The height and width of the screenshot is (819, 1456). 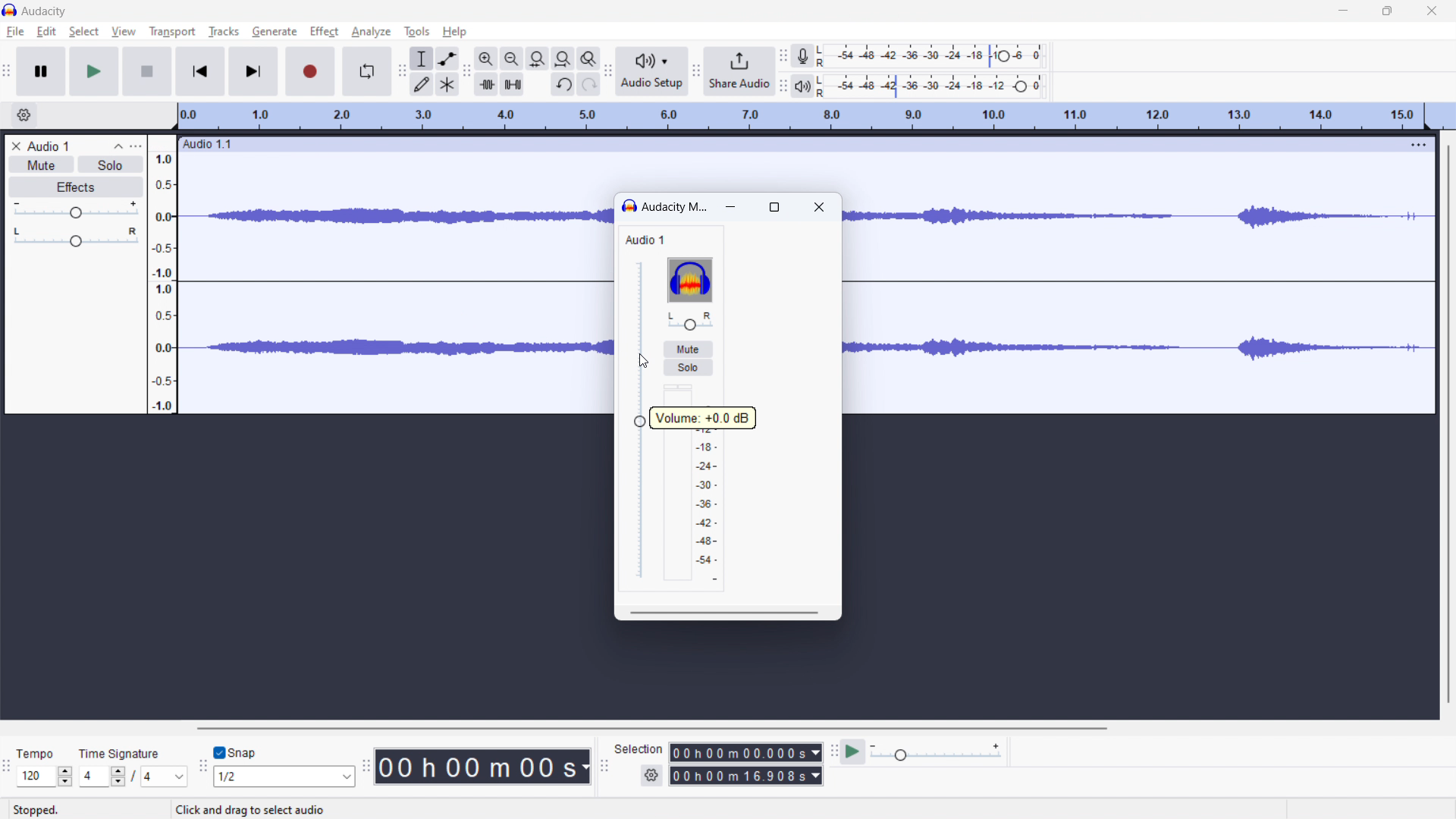 What do you see at coordinates (447, 58) in the screenshot?
I see `envelop tool` at bounding box center [447, 58].